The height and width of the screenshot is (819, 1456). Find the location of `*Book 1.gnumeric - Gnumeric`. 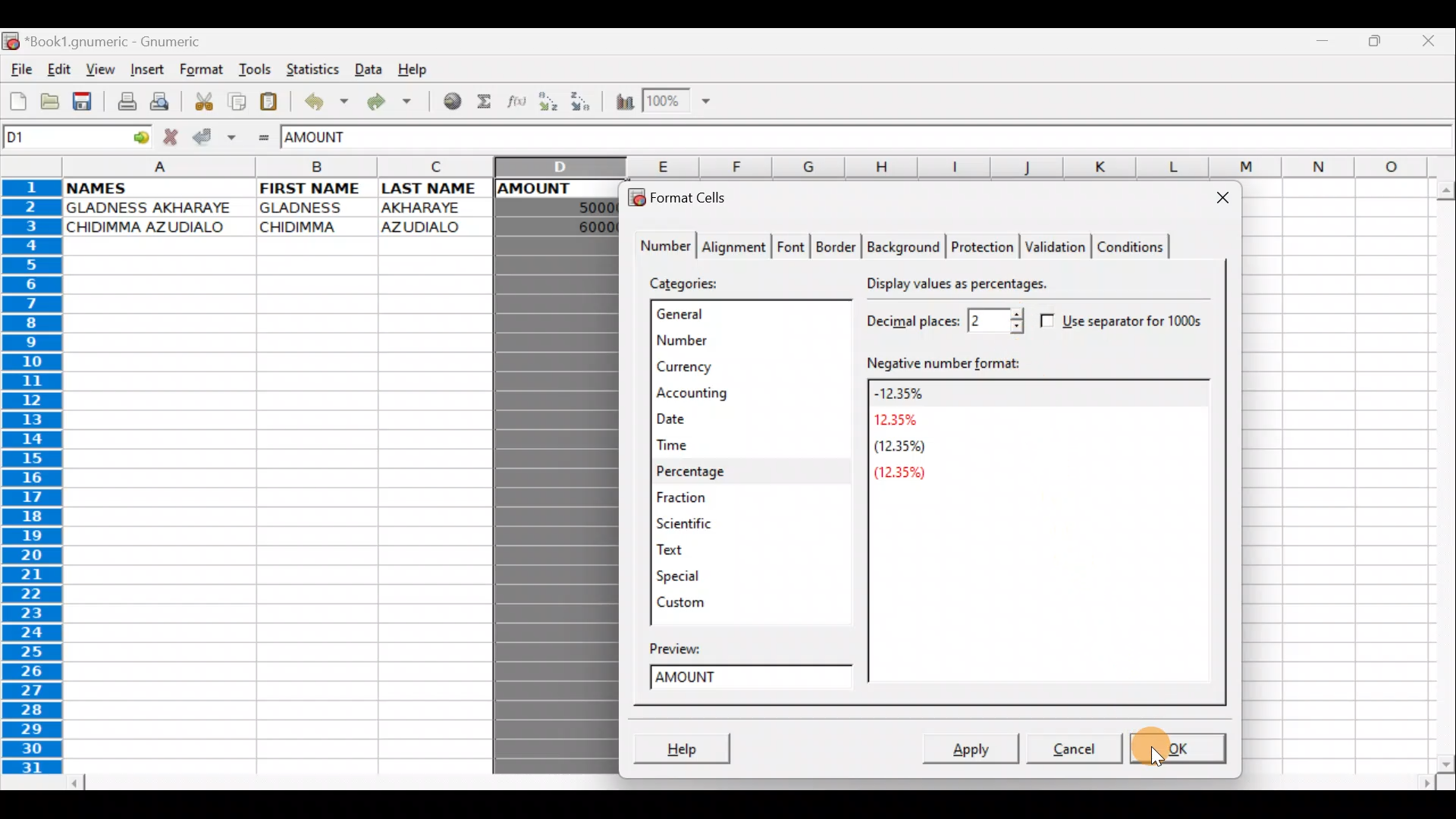

*Book 1.gnumeric - Gnumeric is located at coordinates (124, 43).